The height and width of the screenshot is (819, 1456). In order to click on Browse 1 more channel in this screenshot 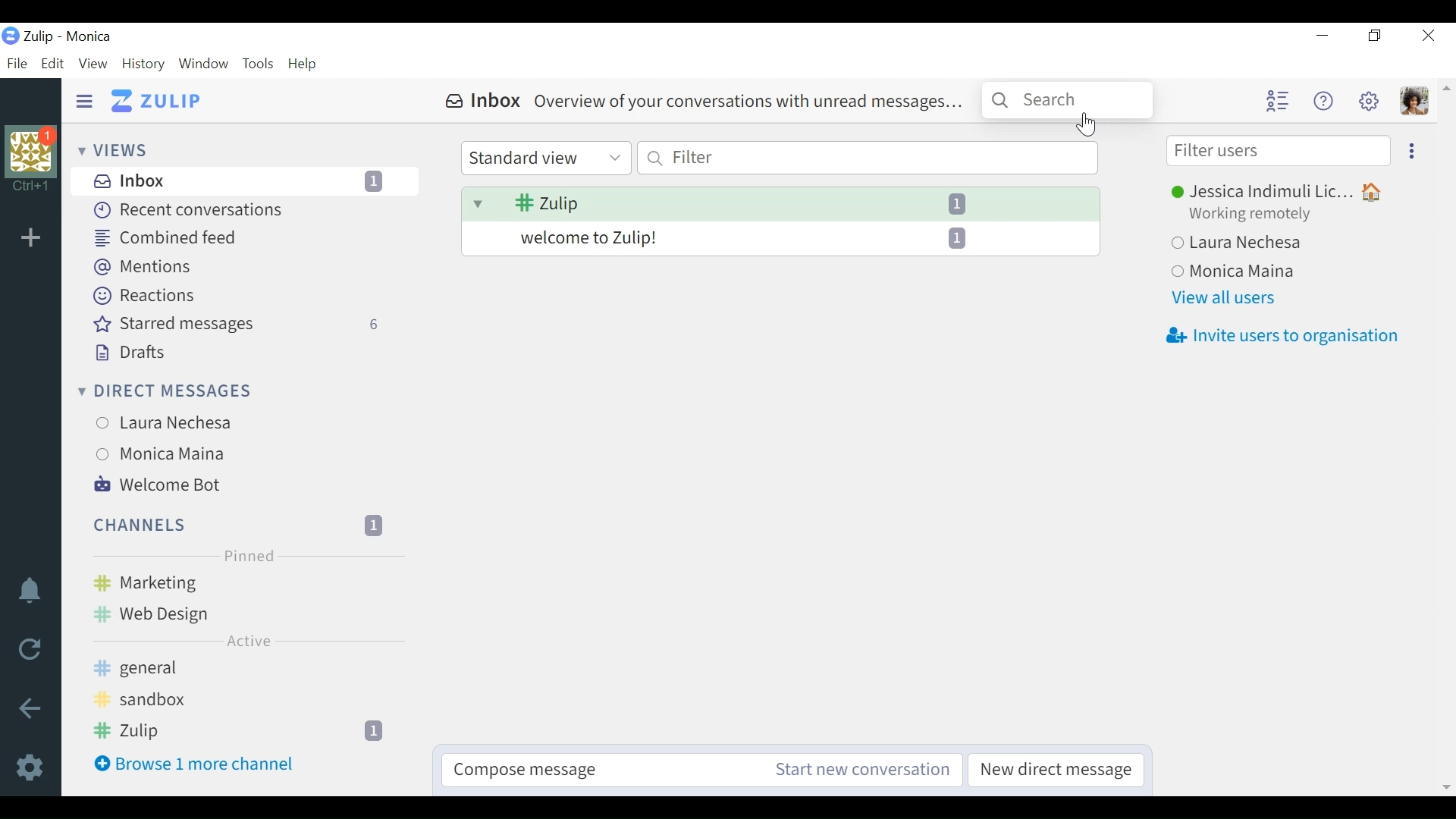, I will do `click(196, 763)`.